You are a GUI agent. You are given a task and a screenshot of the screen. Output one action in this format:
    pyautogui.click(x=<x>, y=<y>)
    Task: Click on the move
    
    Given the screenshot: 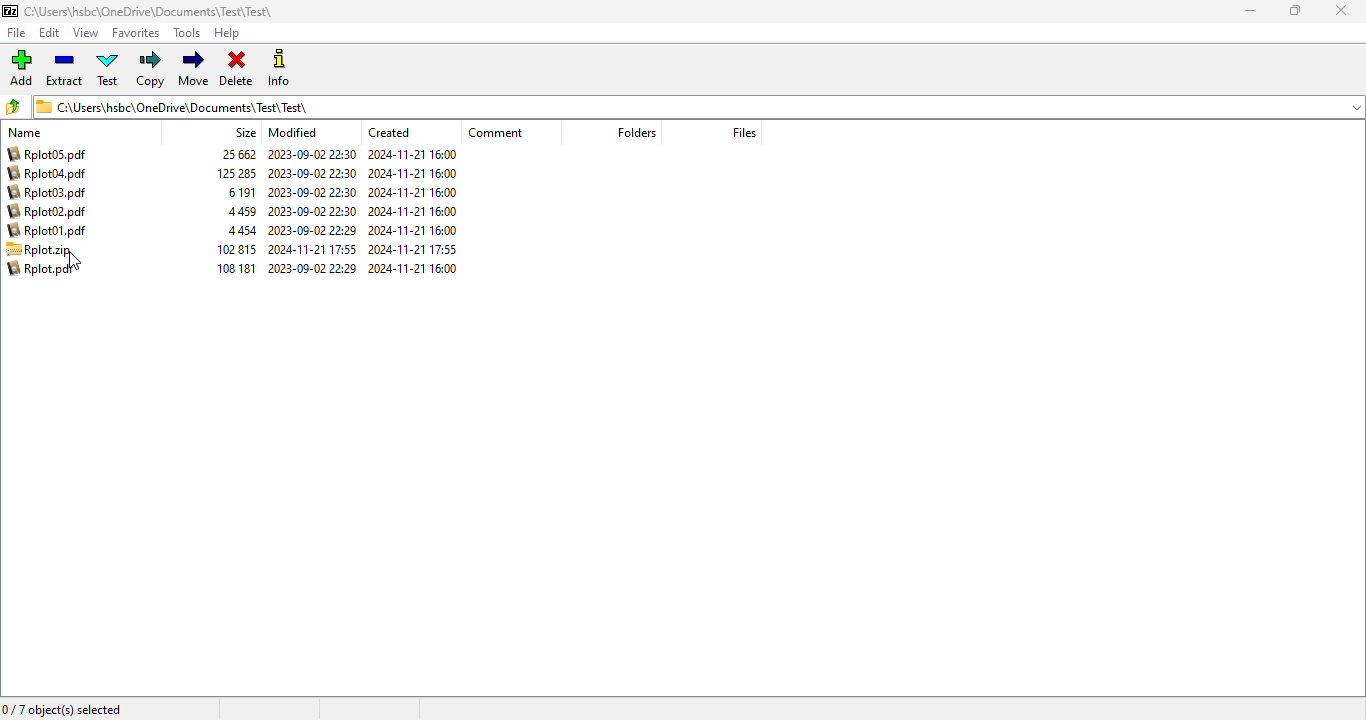 What is the action you would take?
    pyautogui.click(x=194, y=67)
    